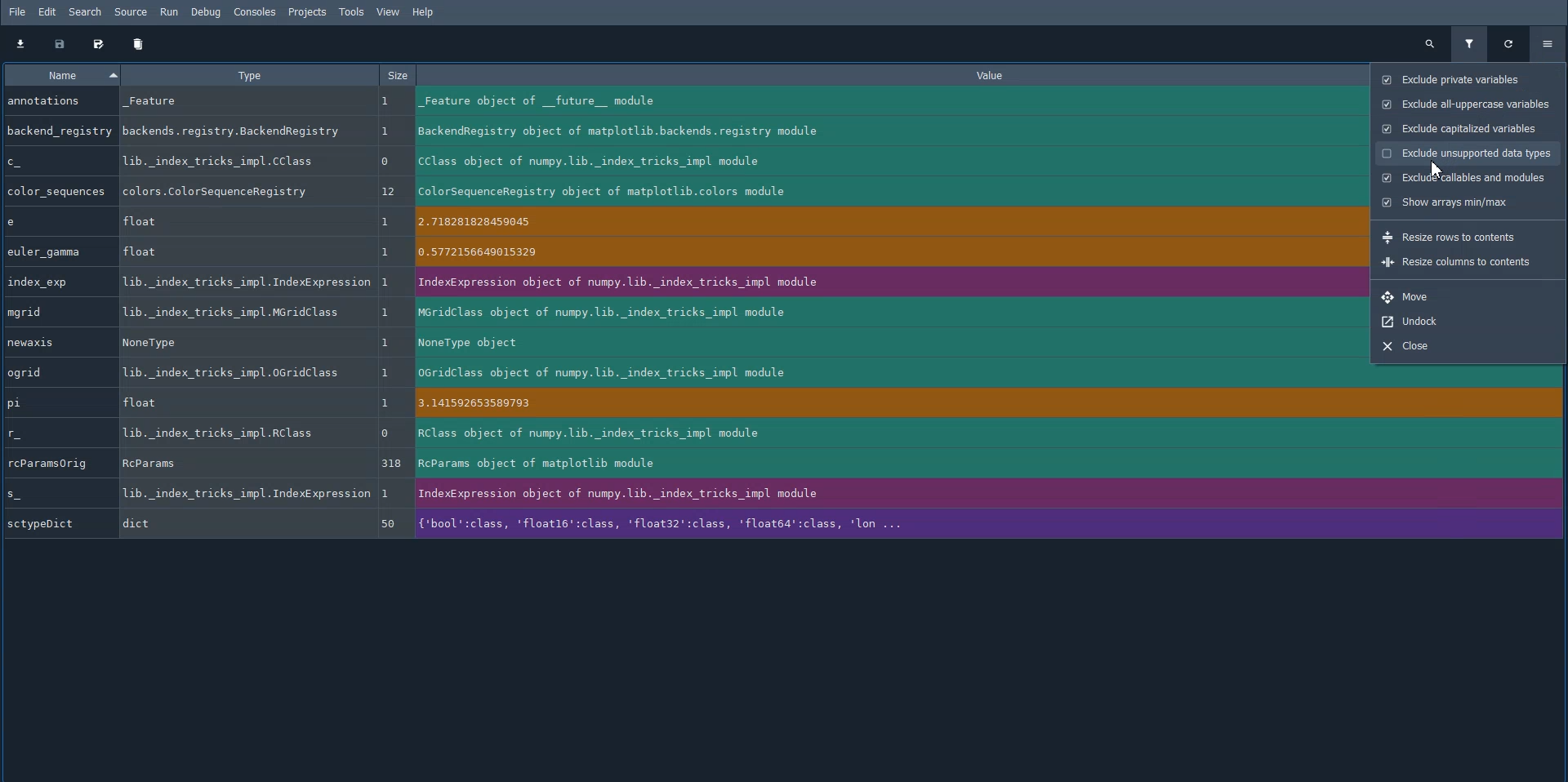  What do you see at coordinates (1467, 79) in the screenshot?
I see `Exclude Private variable` at bounding box center [1467, 79].